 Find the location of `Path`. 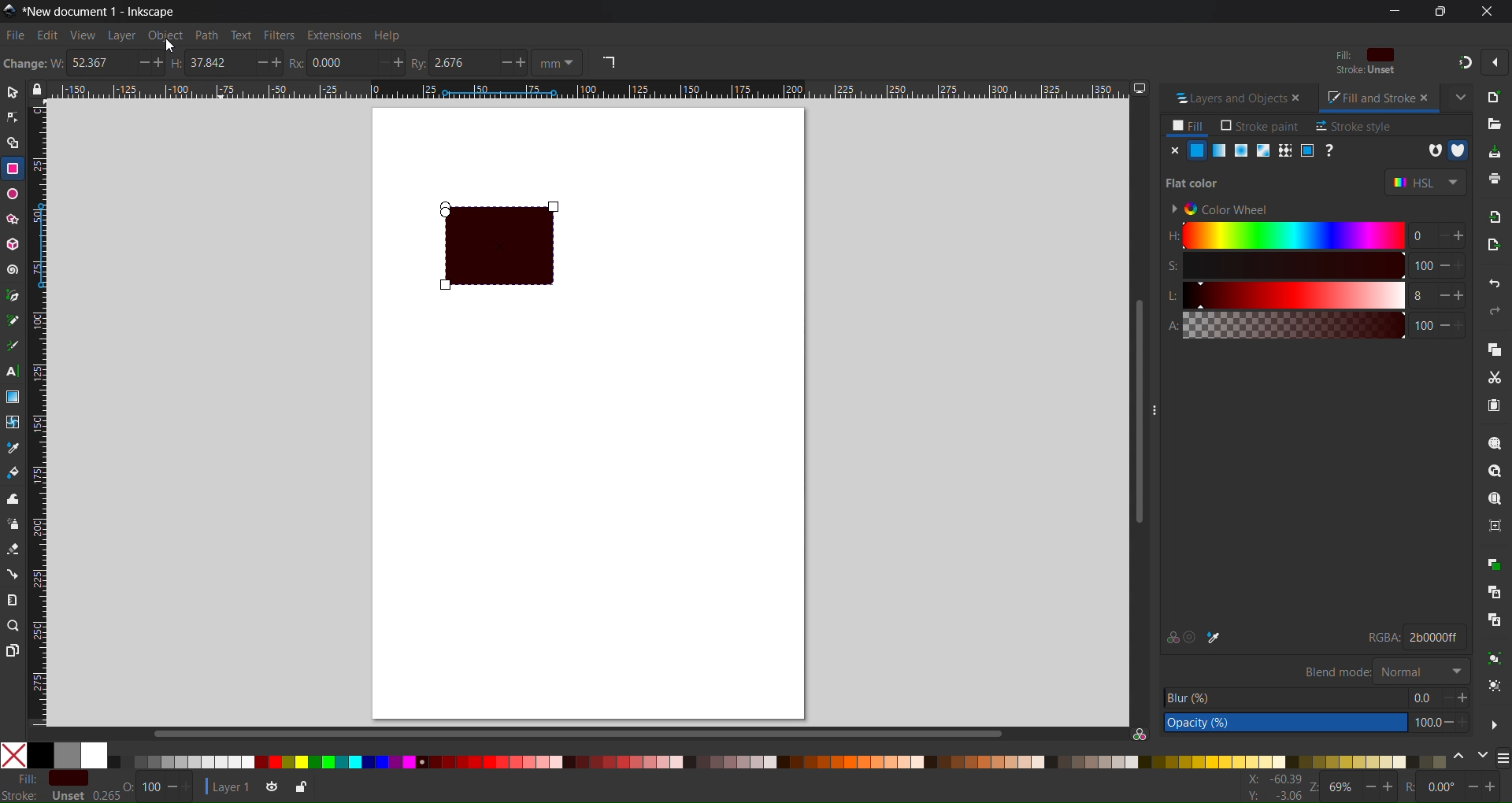

Path is located at coordinates (206, 35).